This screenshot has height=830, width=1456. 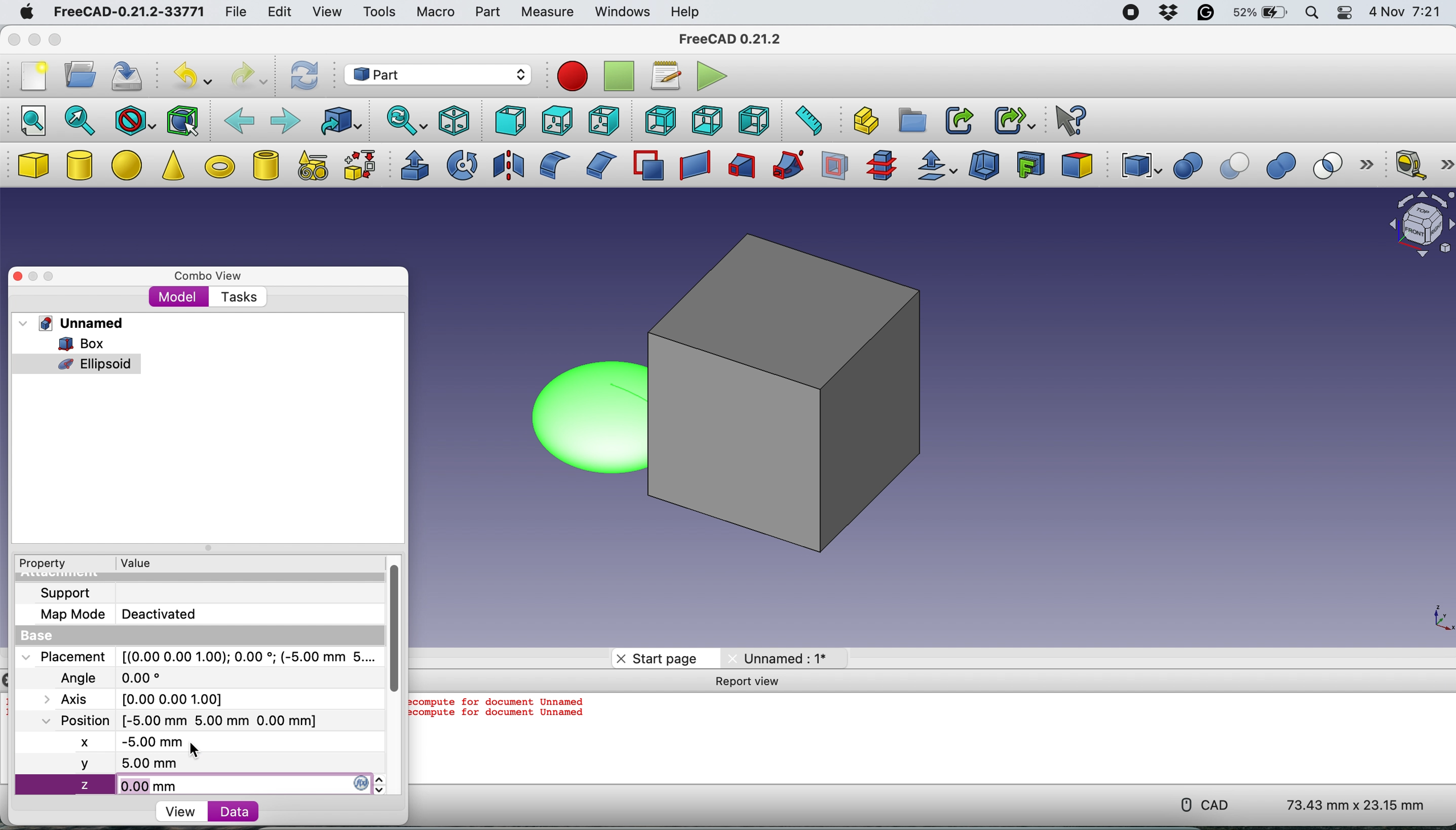 What do you see at coordinates (129, 164) in the screenshot?
I see `ellipse` at bounding box center [129, 164].